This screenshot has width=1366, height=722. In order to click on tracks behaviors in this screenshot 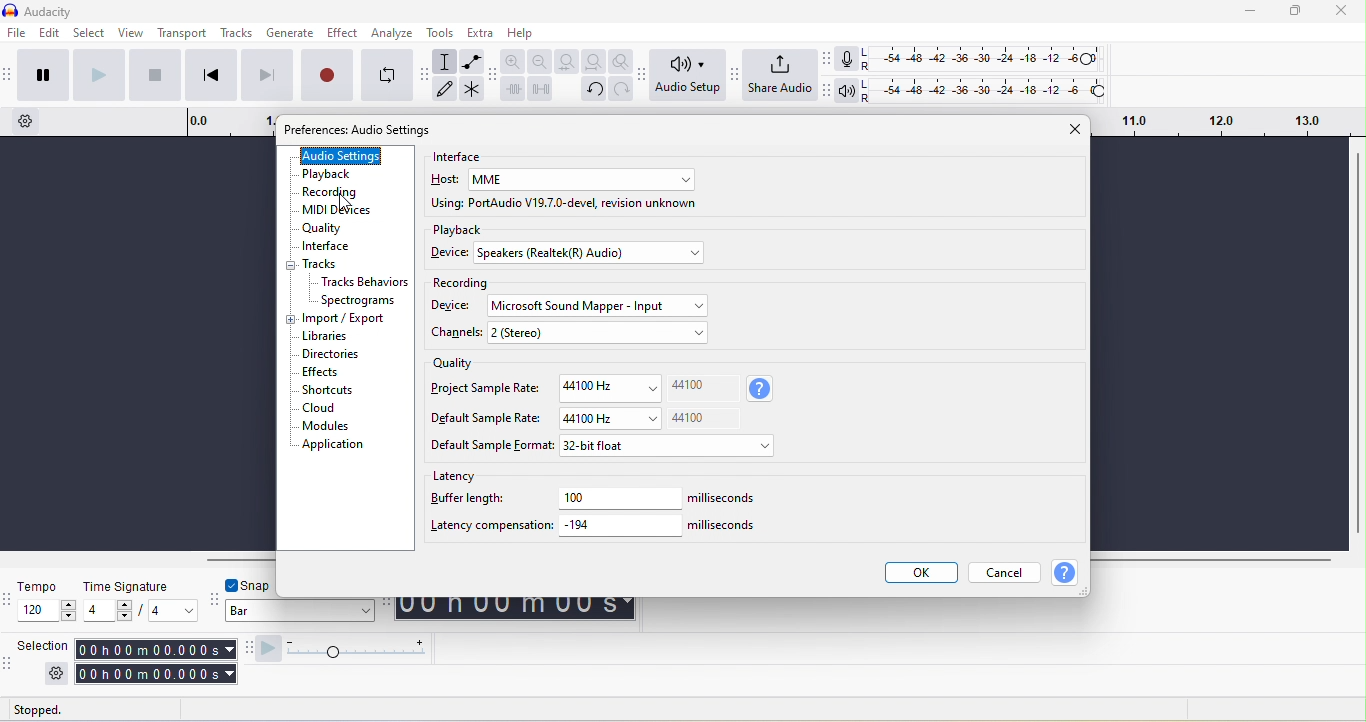, I will do `click(357, 282)`.